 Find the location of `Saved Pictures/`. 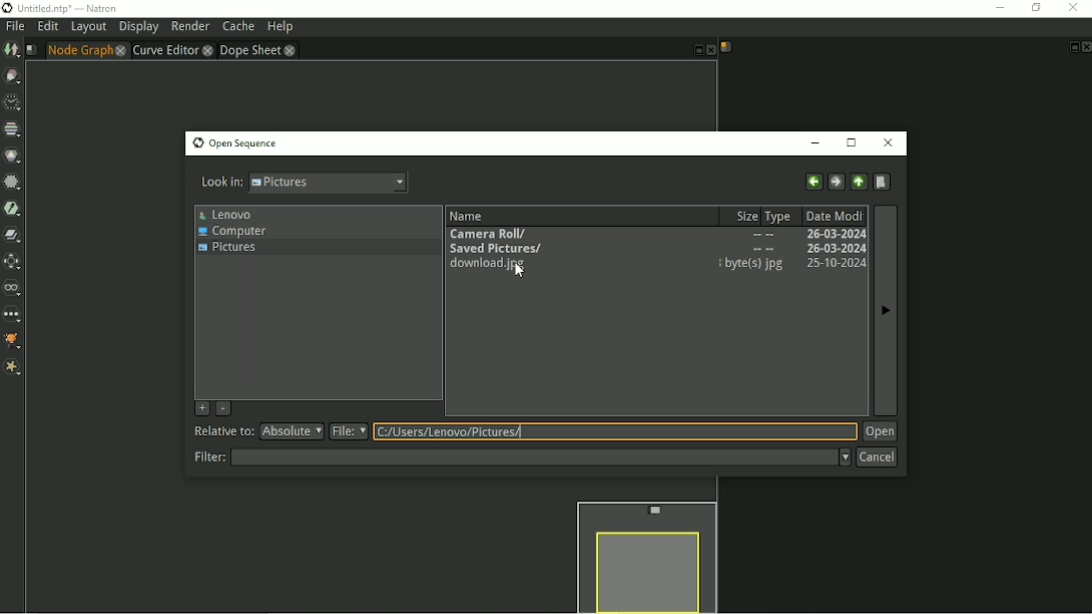

Saved Pictures/ is located at coordinates (496, 248).